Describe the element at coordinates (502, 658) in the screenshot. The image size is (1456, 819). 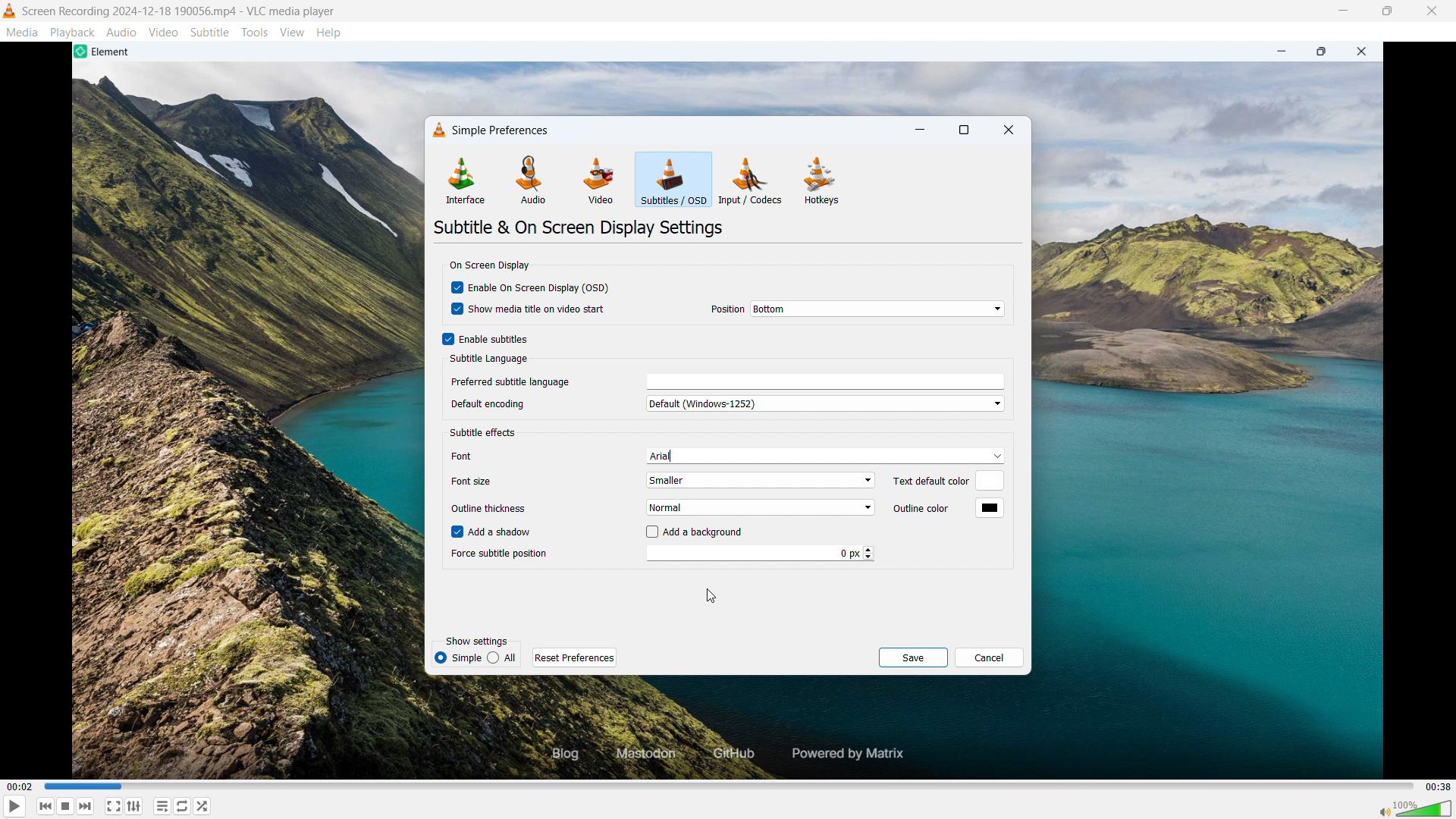
I see `simple` at that location.